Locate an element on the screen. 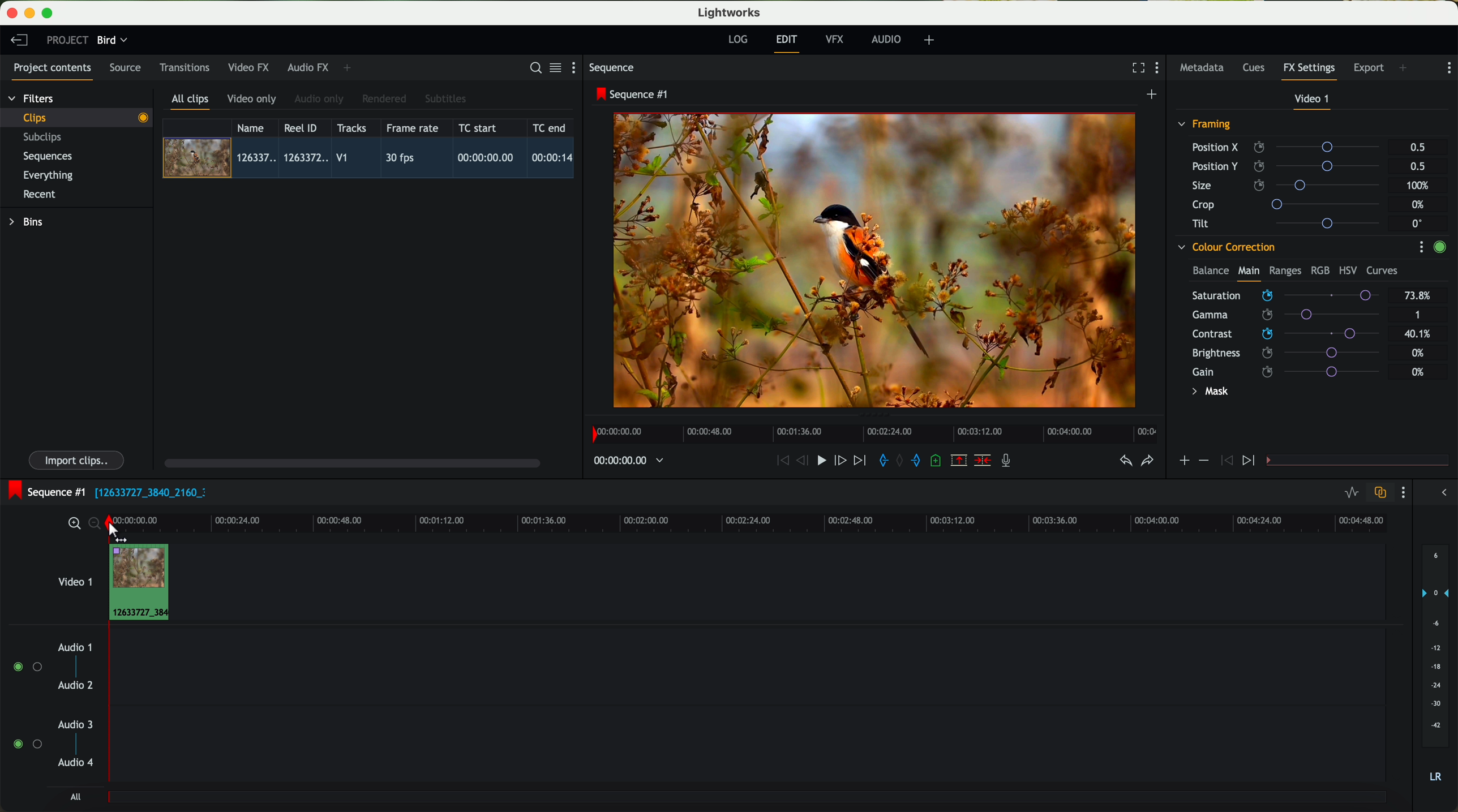  audio only is located at coordinates (320, 99).